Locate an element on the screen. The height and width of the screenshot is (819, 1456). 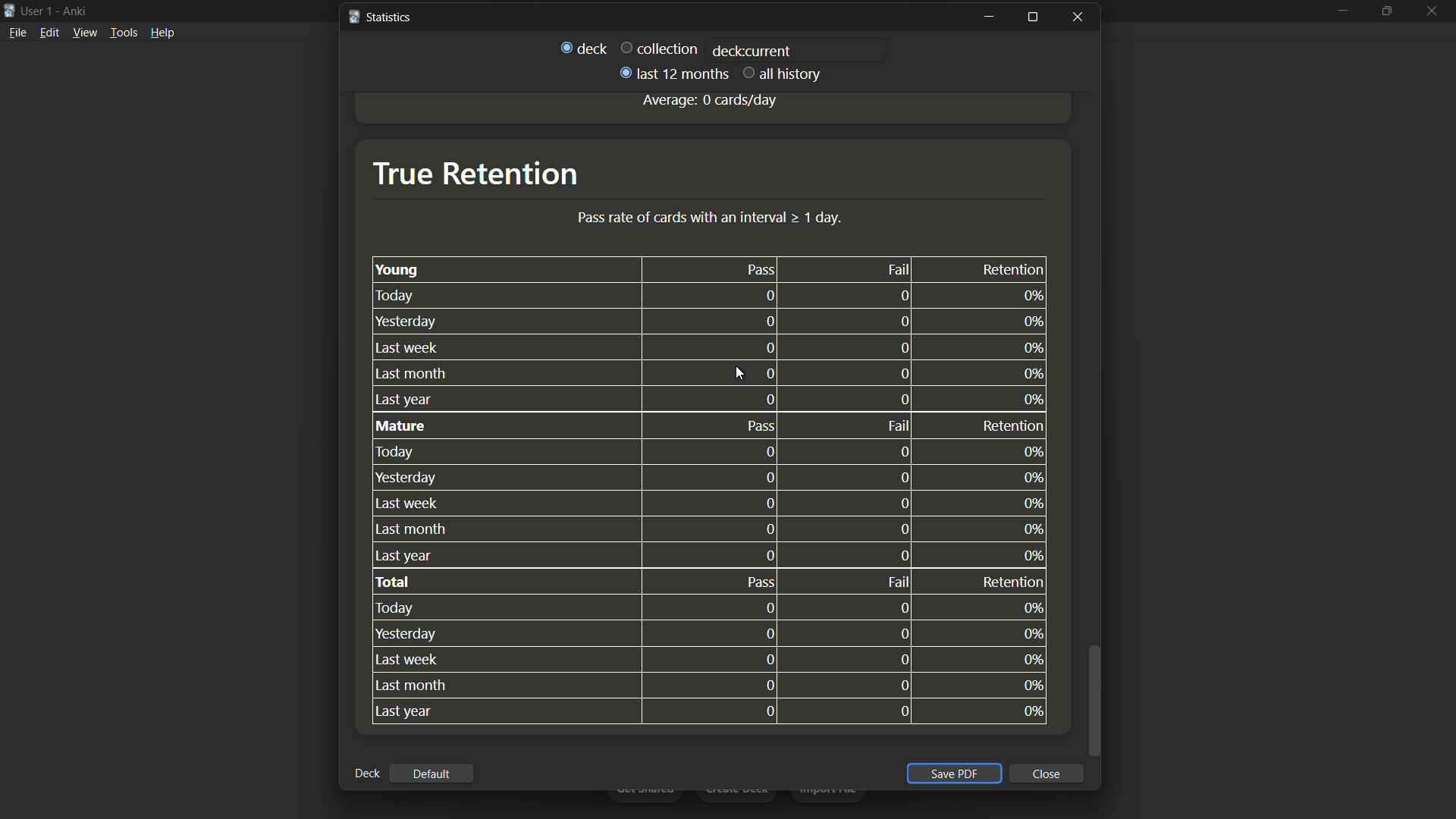
tools menu is located at coordinates (123, 33).